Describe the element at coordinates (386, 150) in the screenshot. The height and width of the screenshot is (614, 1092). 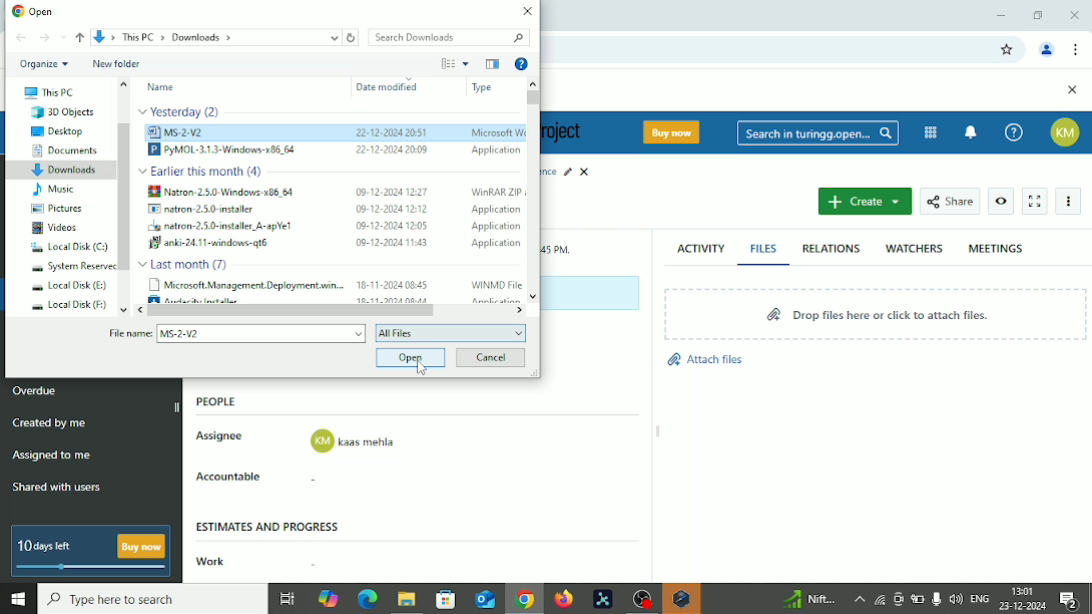
I see `22-12-2004 20090` at that location.